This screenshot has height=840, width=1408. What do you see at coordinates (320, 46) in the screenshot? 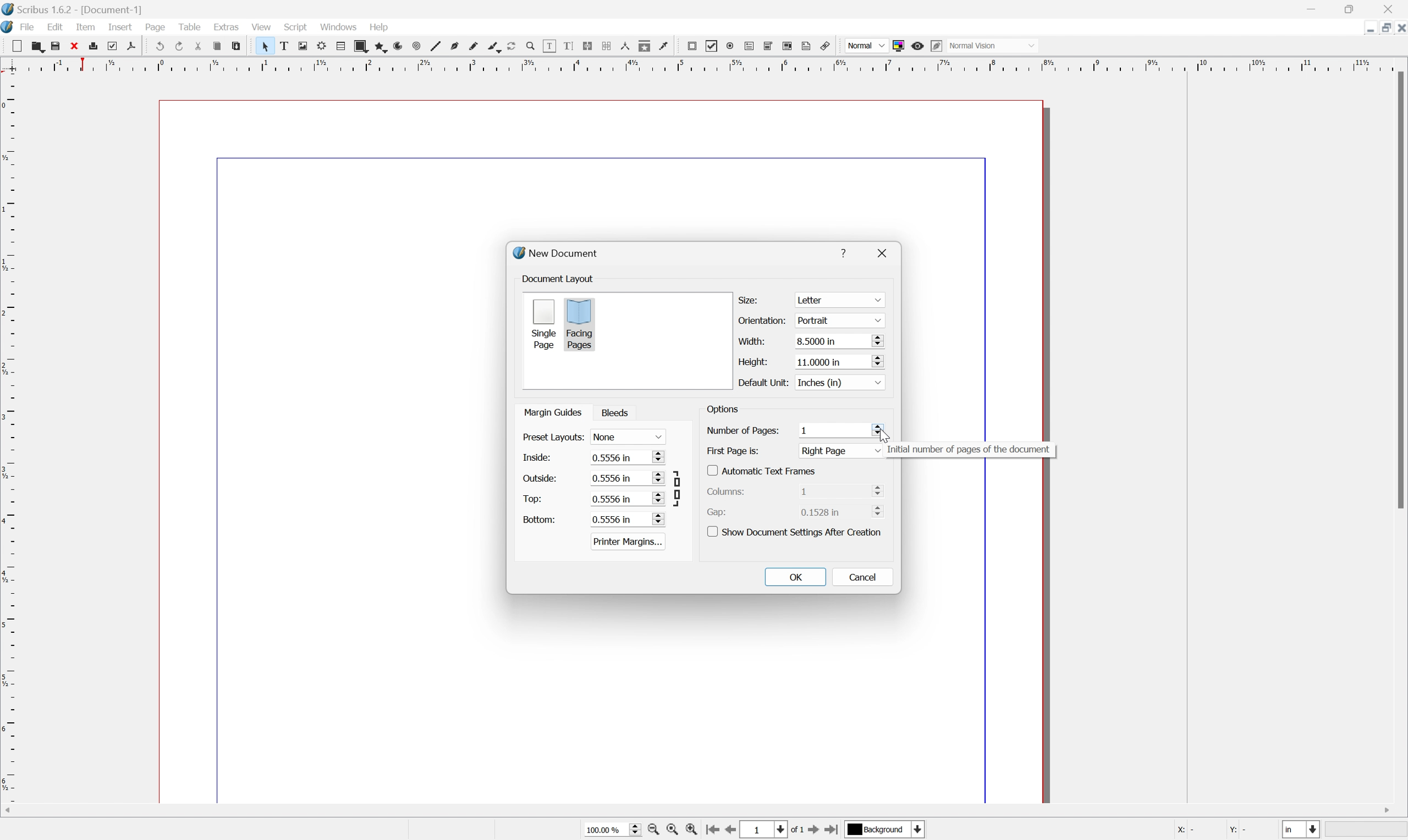
I see `Render frame` at bounding box center [320, 46].